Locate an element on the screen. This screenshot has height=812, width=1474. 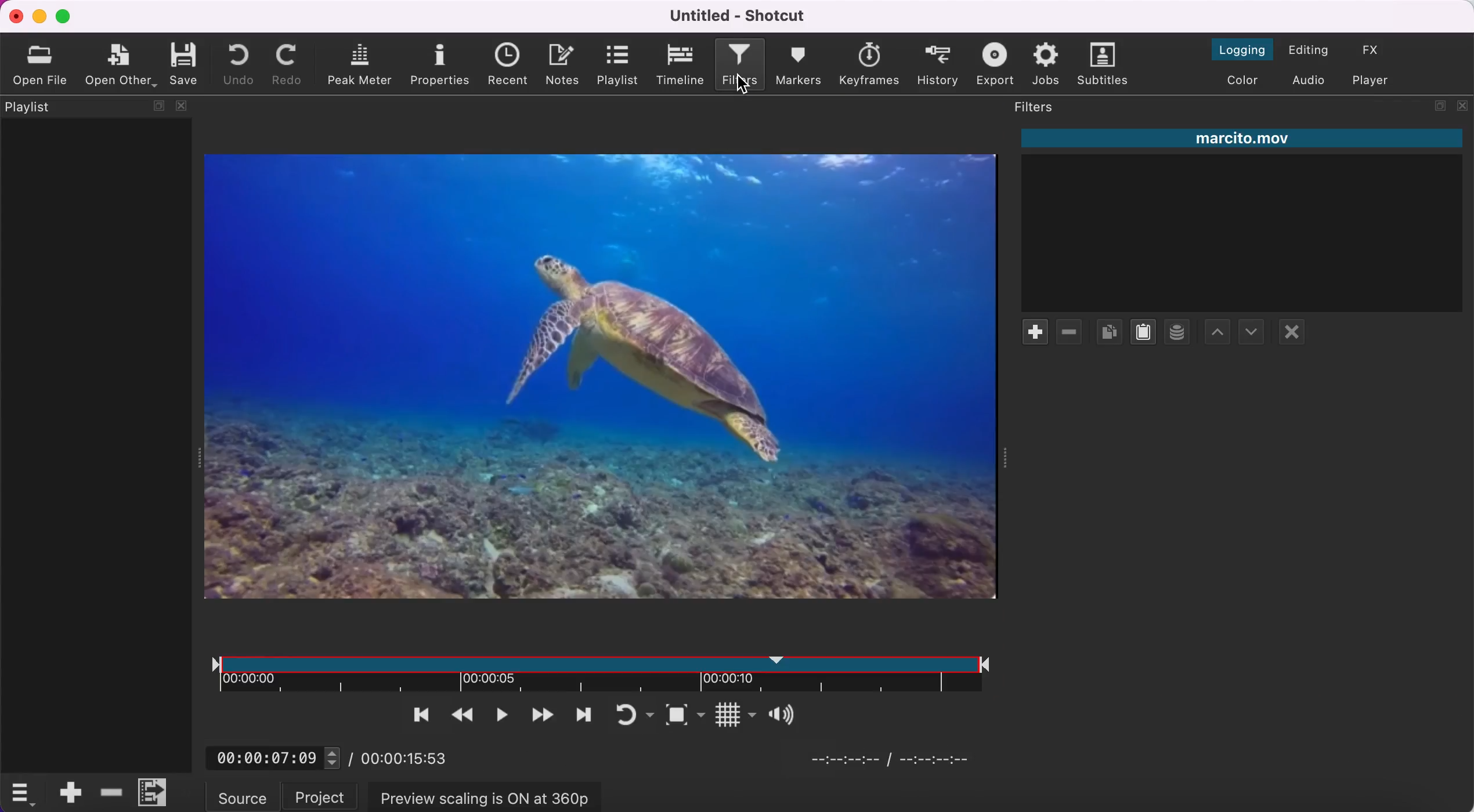
history is located at coordinates (939, 64).